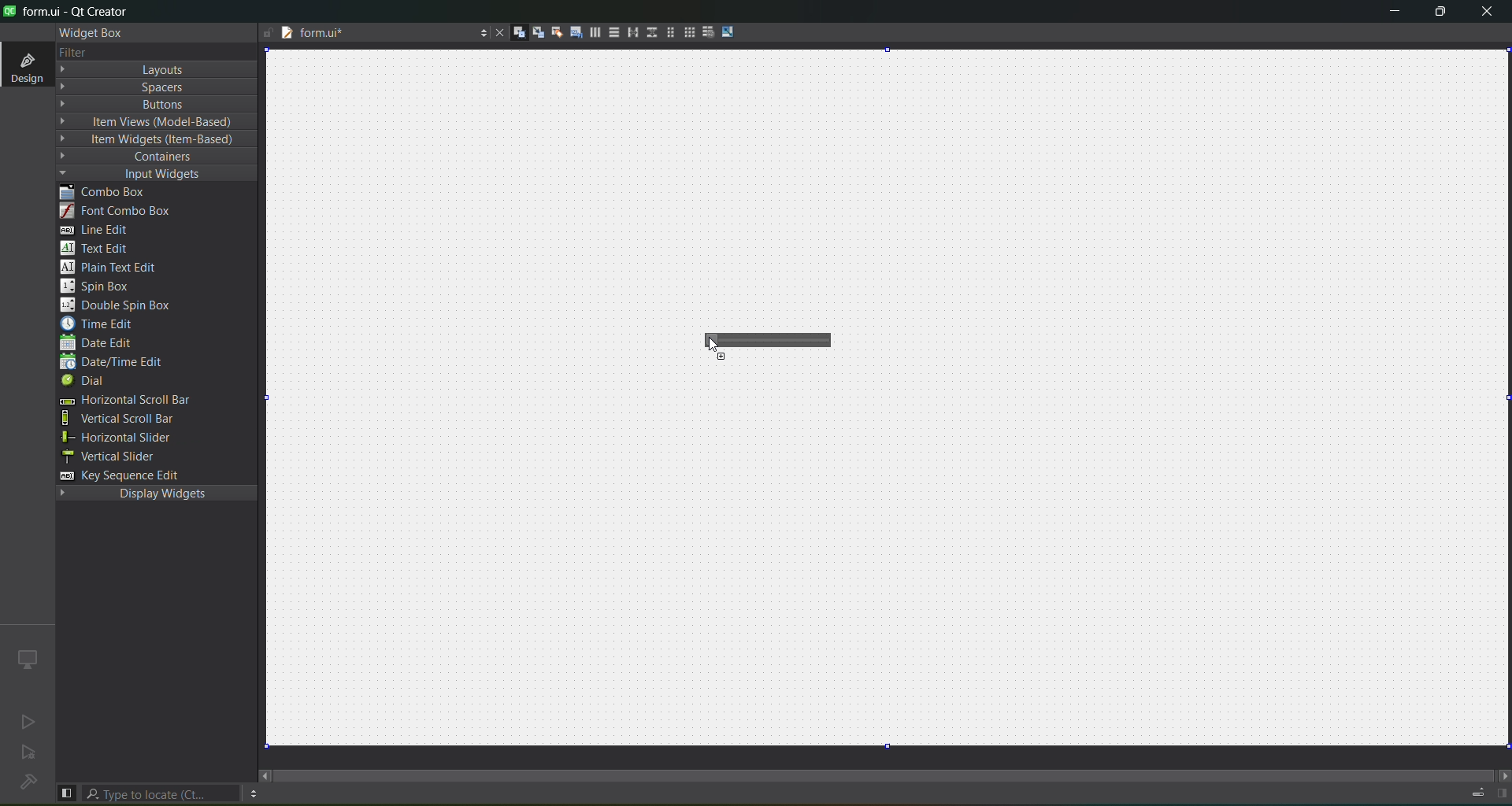  What do you see at coordinates (132, 69) in the screenshot?
I see `layout` at bounding box center [132, 69].